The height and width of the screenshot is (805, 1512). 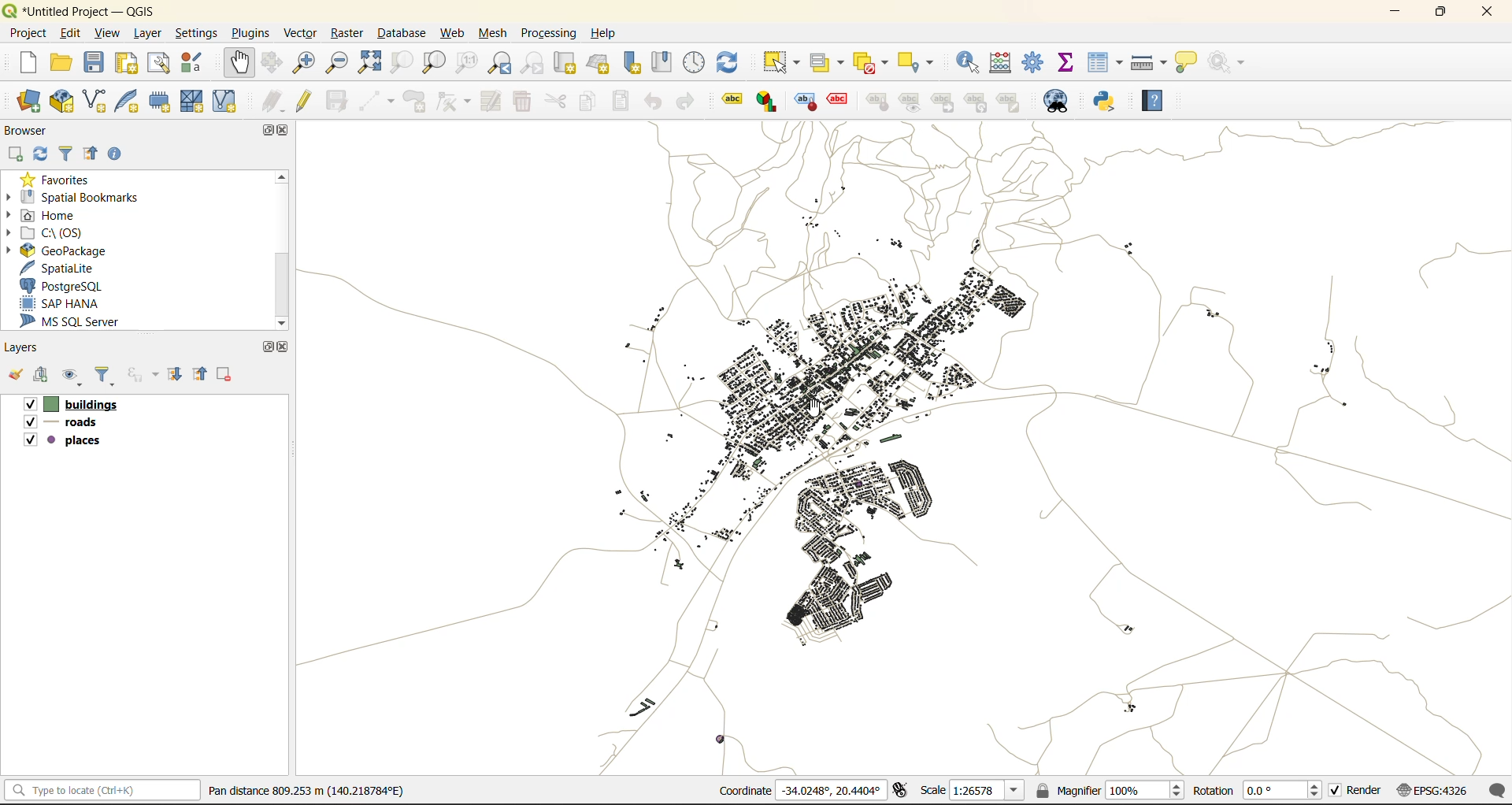 What do you see at coordinates (43, 375) in the screenshot?
I see `add` at bounding box center [43, 375].